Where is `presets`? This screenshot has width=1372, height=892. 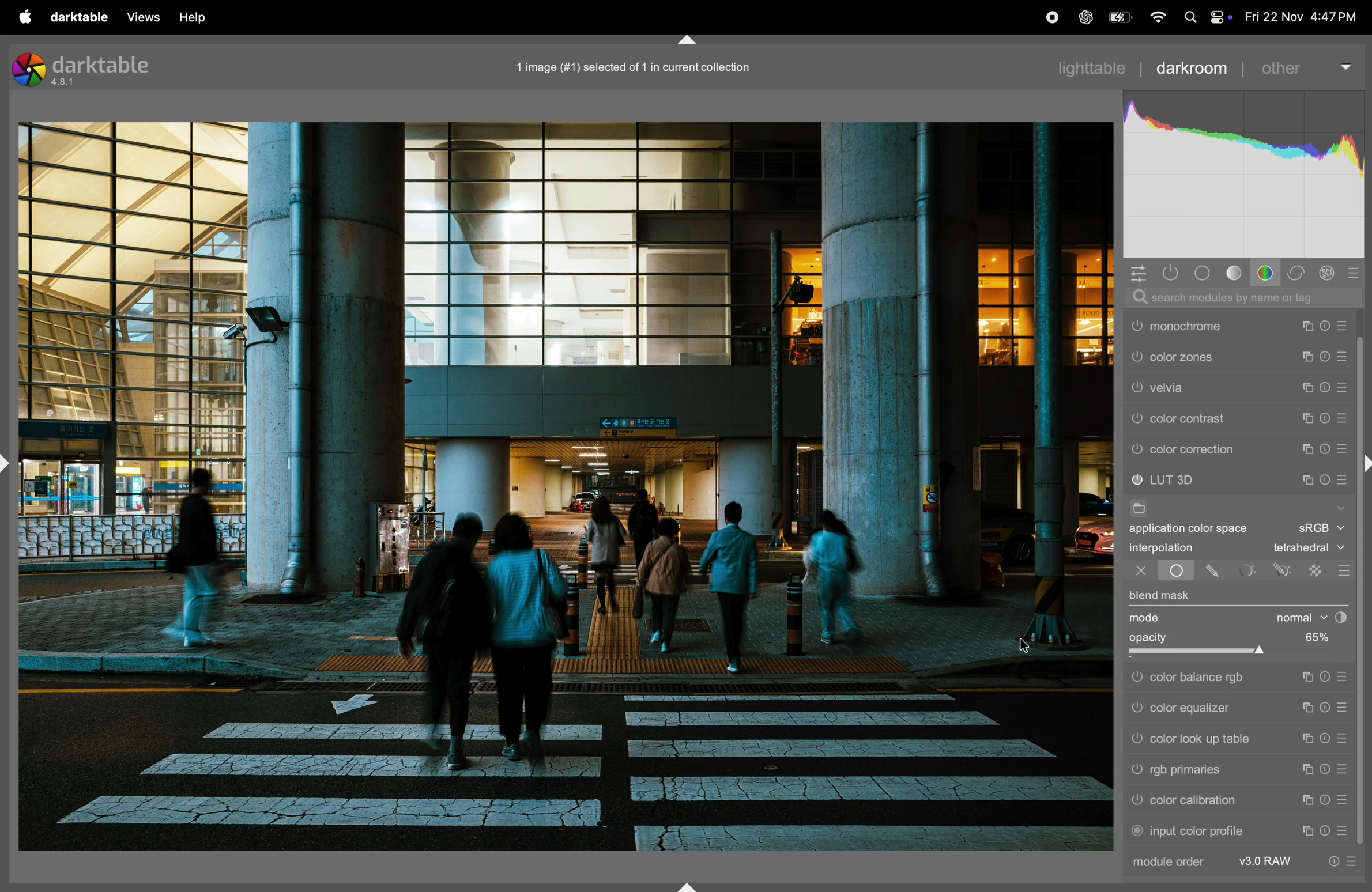 presets is located at coordinates (1345, 448).